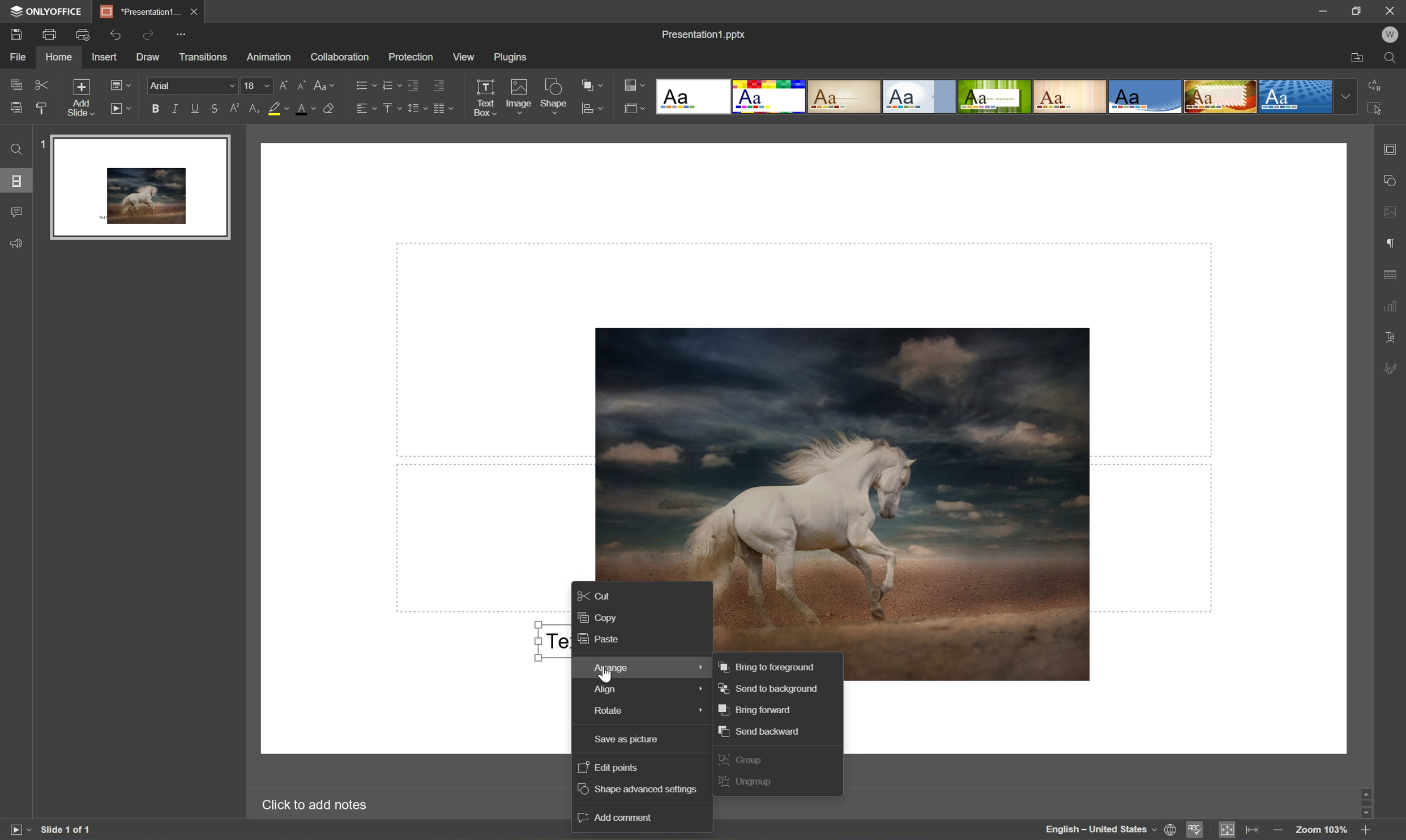 This screenshot has height=840, width=1406. I want to click on Paste, so click(16, 109).